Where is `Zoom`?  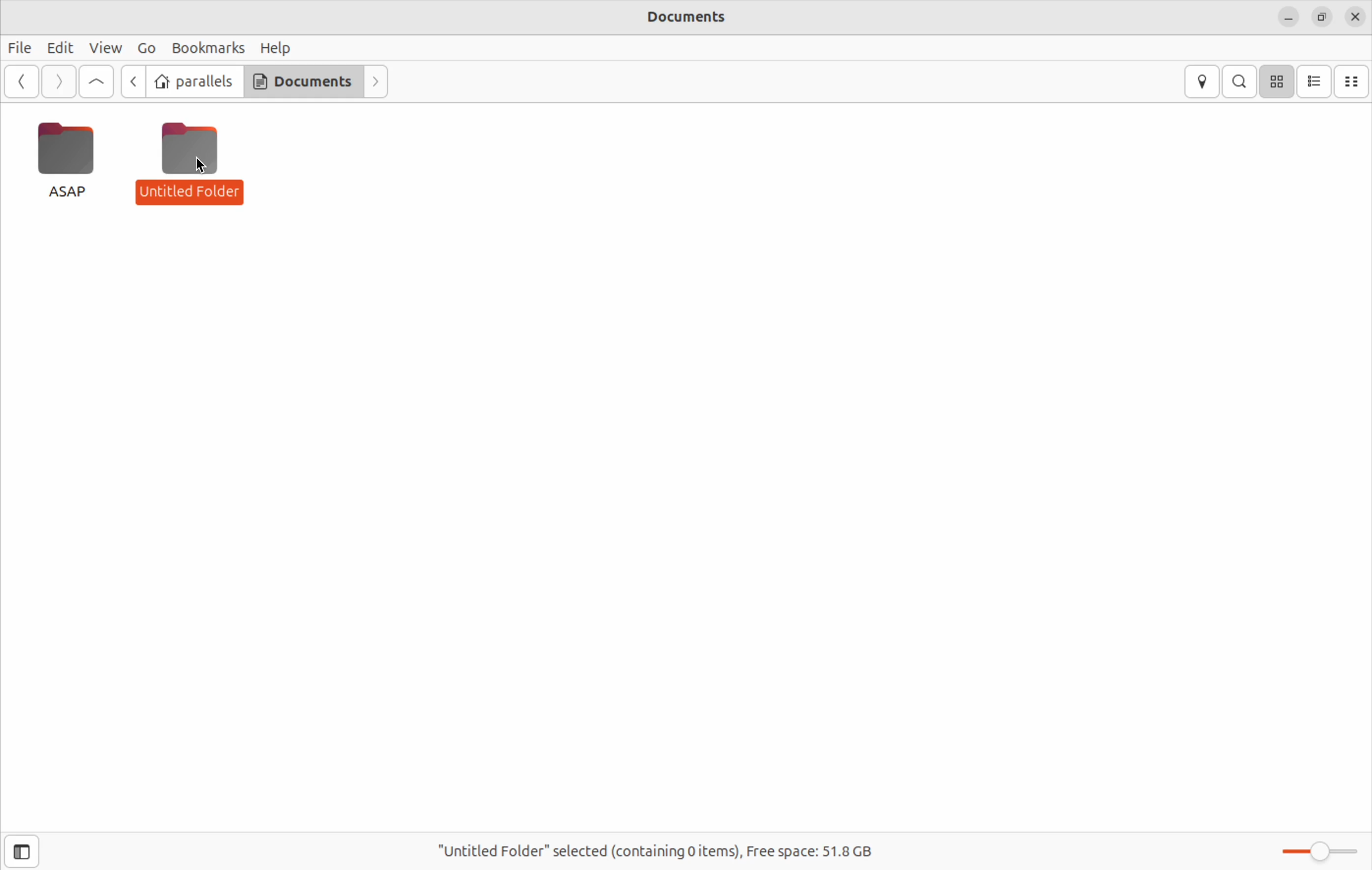 Zoom is located at coordinates (1320, 853).